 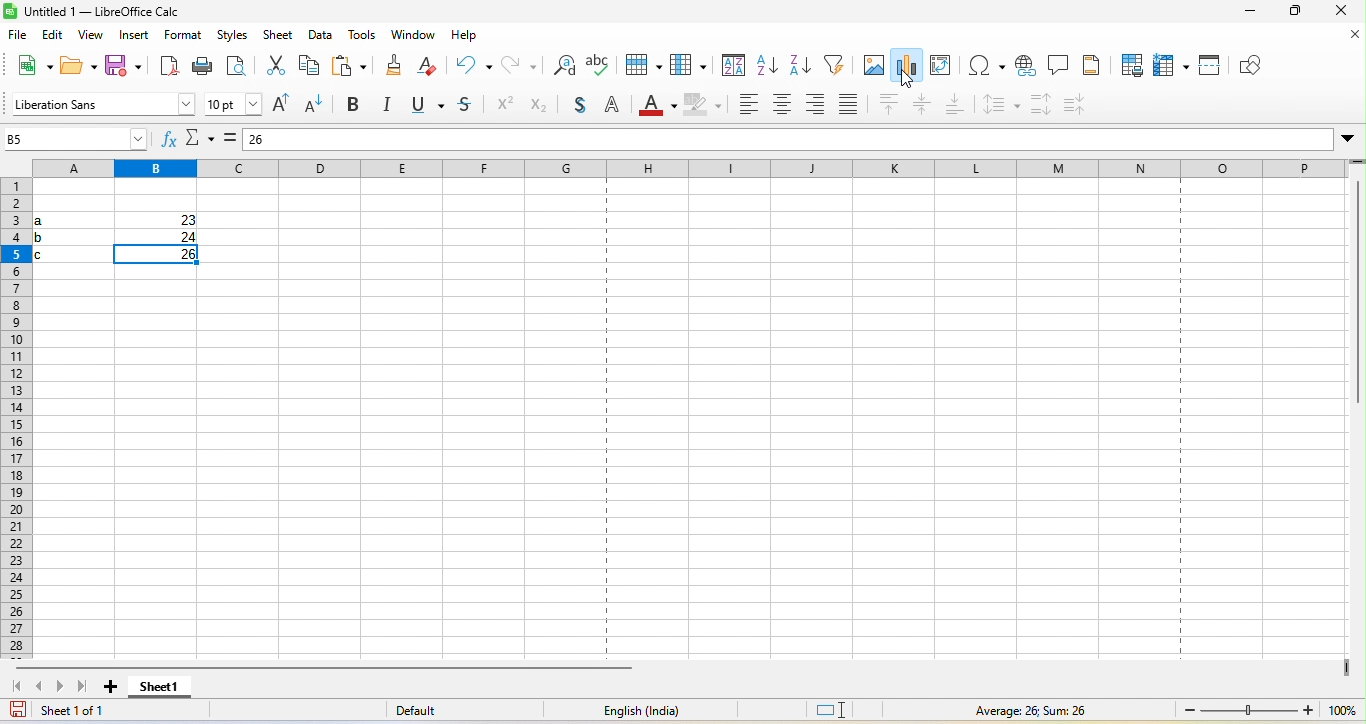 I want to click on default, so click(x=431, y=710).